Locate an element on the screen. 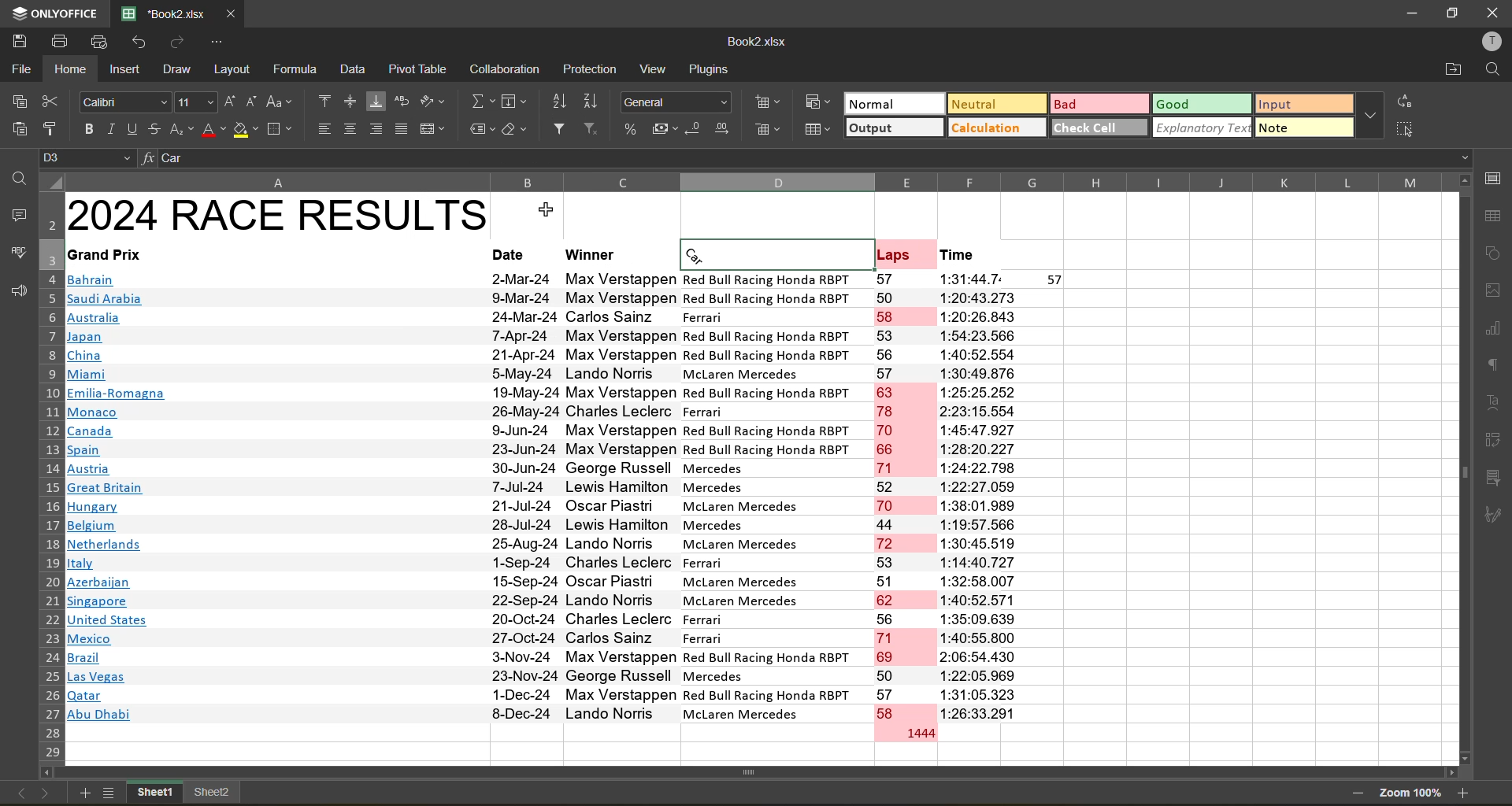 The height and width of the screenshot is (806, 1512). slicer is located at coordinates (1494, 477).